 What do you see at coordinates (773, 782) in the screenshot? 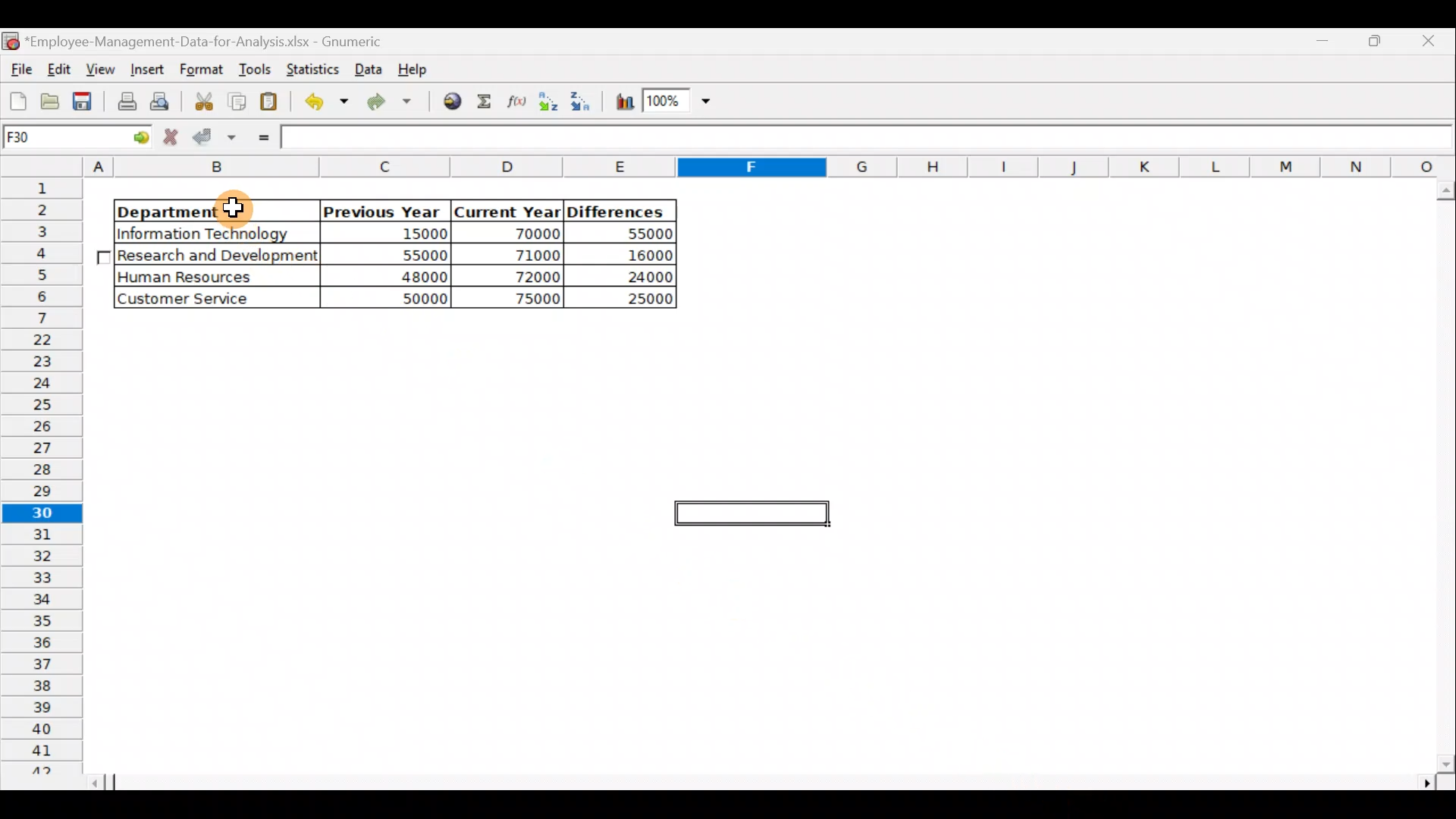
I see `Scroll bar` at bounding box center [773, 782].